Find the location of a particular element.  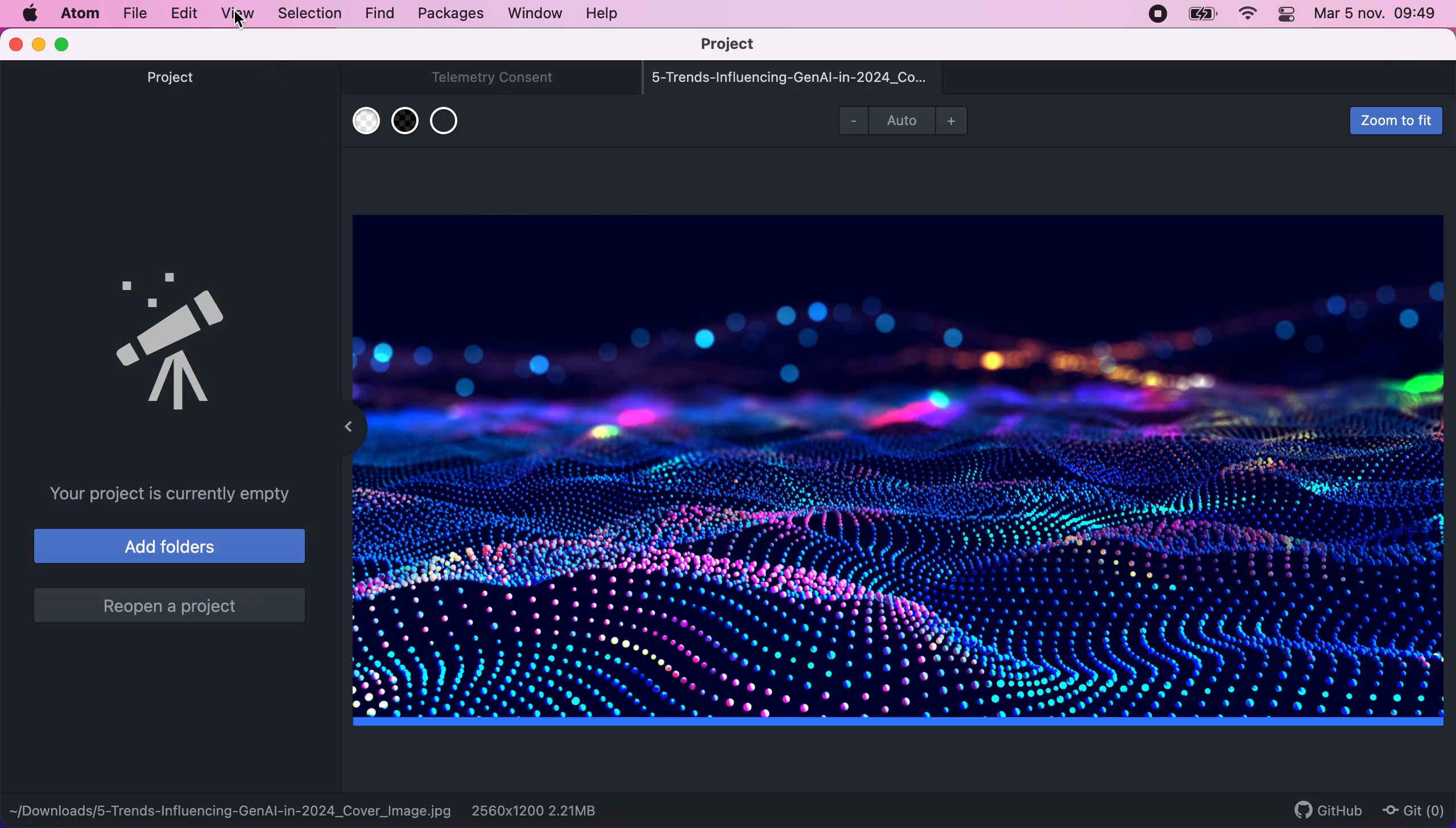

packages is located at coordinates (448, 15).